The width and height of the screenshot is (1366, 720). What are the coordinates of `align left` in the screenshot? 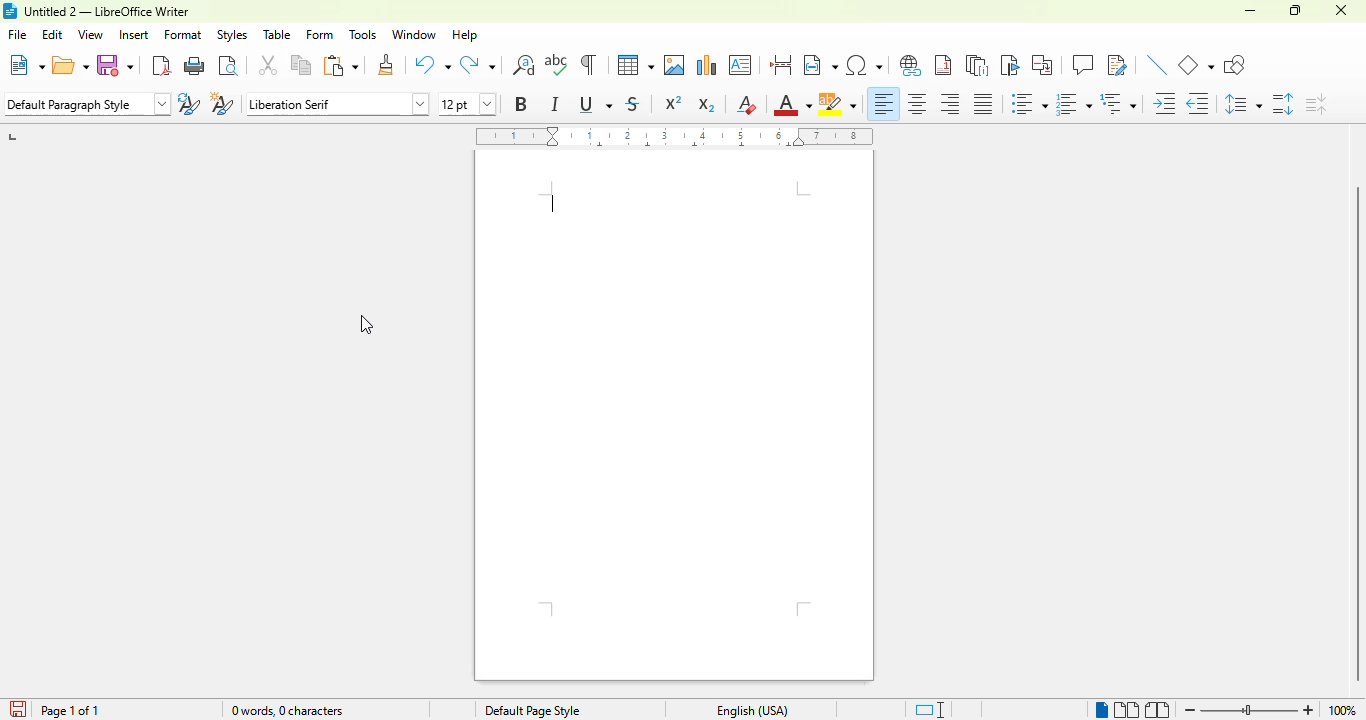 It's located at (884, 104).